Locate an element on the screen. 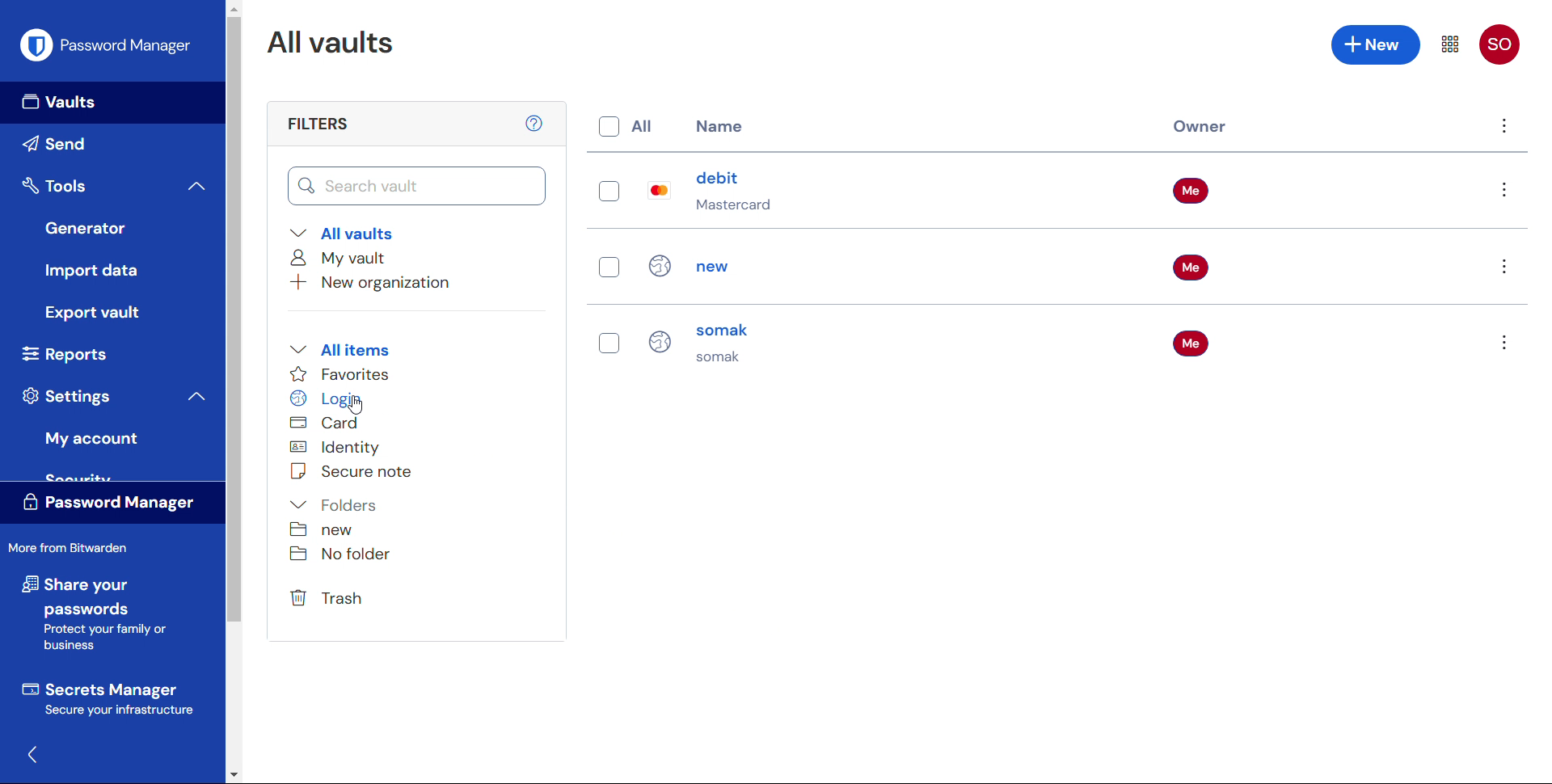 Image resolution: width=1552 pixels, height=784 pixels. Me is located at coordinates (1192, 265).